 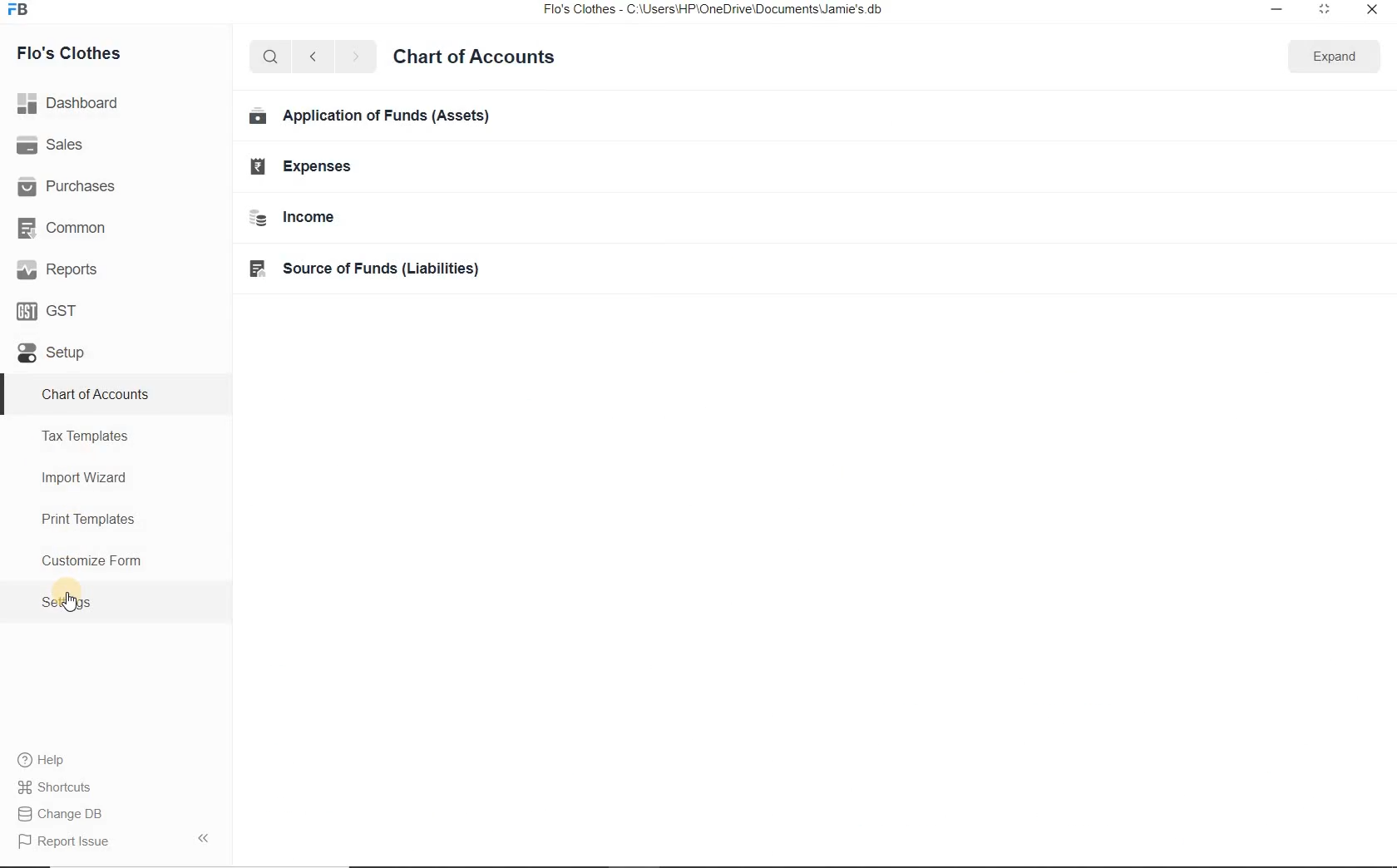 What do you see at coordinates (354, 55) in the screenshot?
I see `Forward` at bounding box center [354, 55].